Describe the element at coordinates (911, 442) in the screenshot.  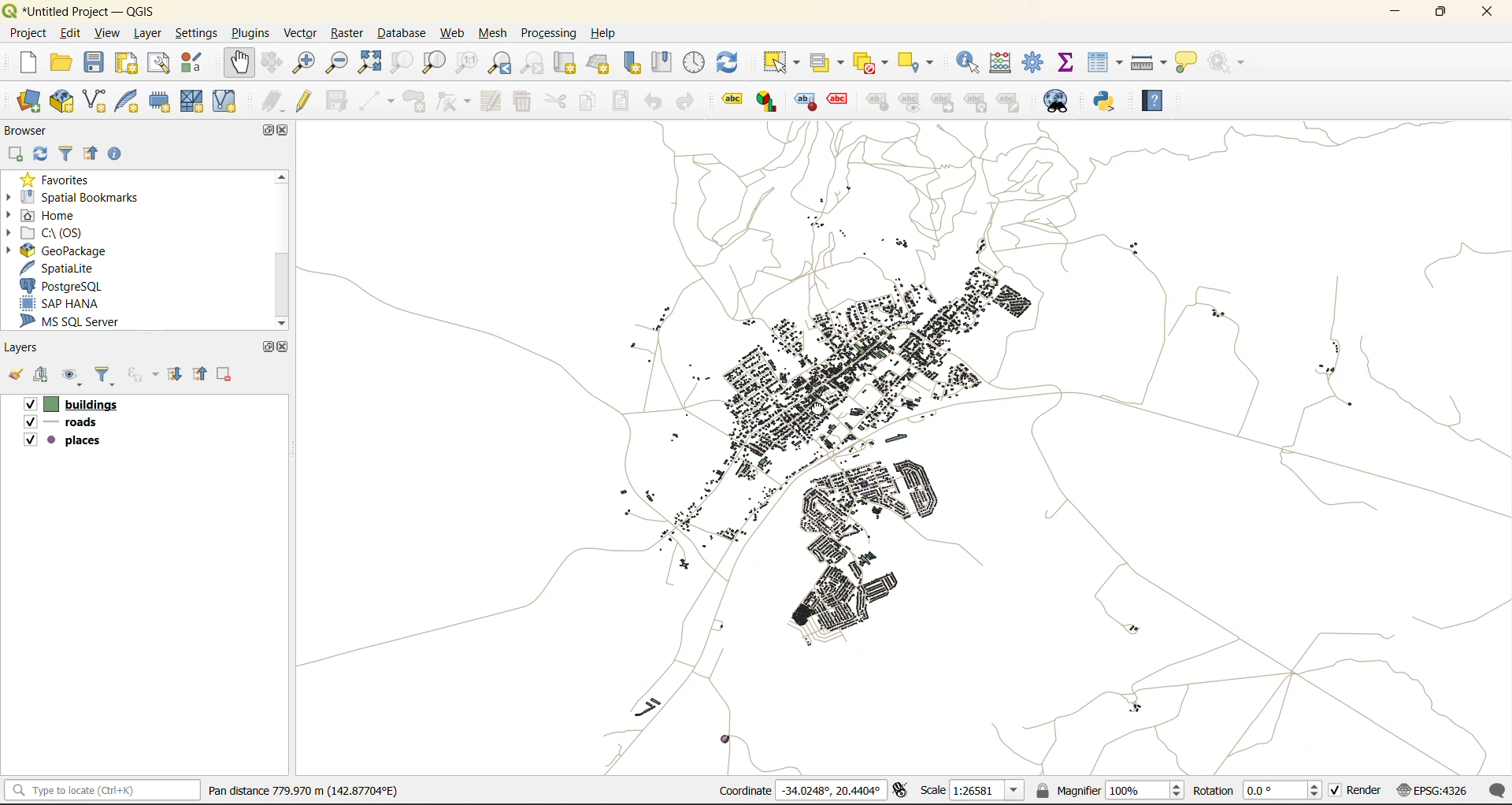
I see `panned map` at that location.